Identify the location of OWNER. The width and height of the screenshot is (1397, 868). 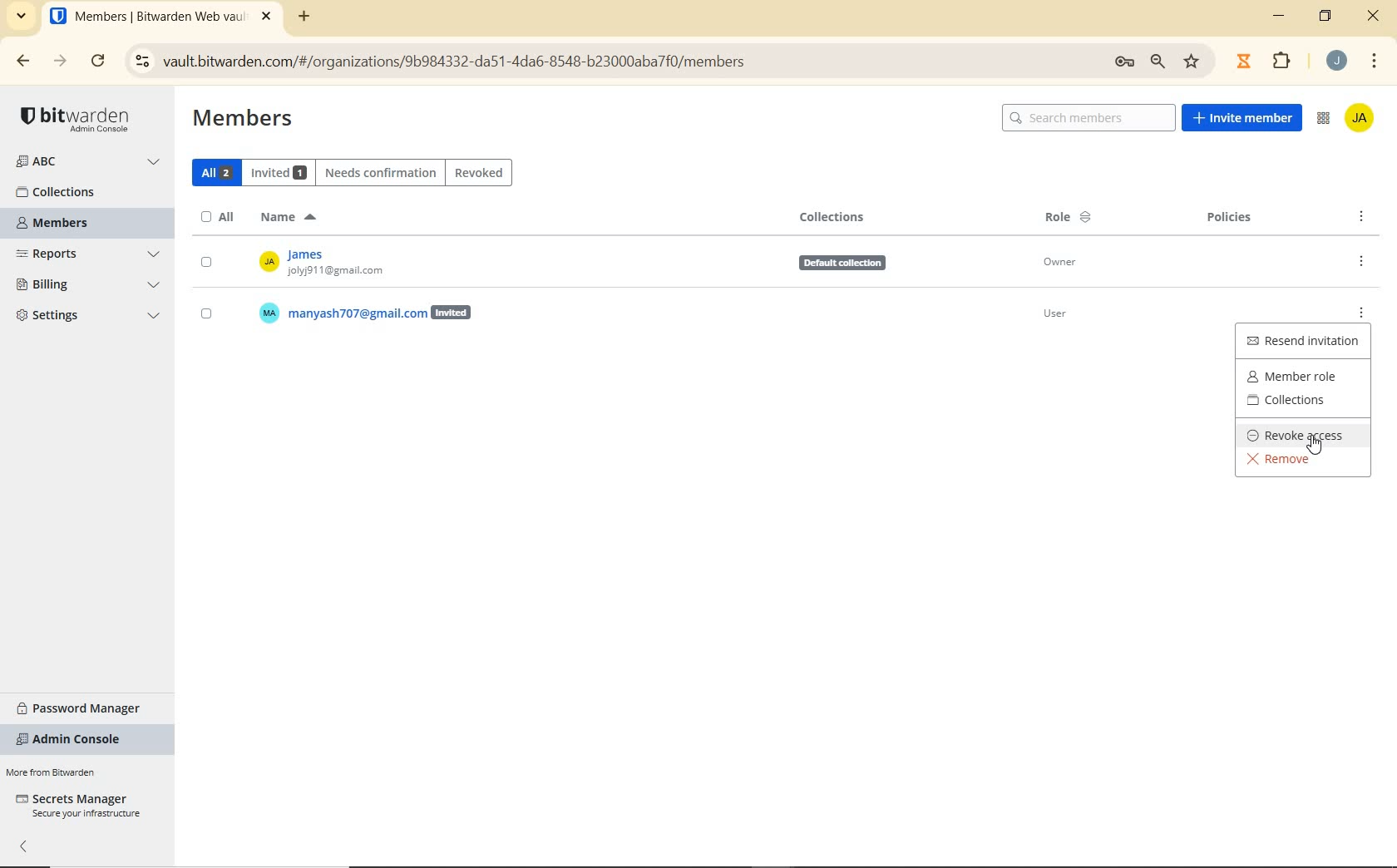
(373, 263).